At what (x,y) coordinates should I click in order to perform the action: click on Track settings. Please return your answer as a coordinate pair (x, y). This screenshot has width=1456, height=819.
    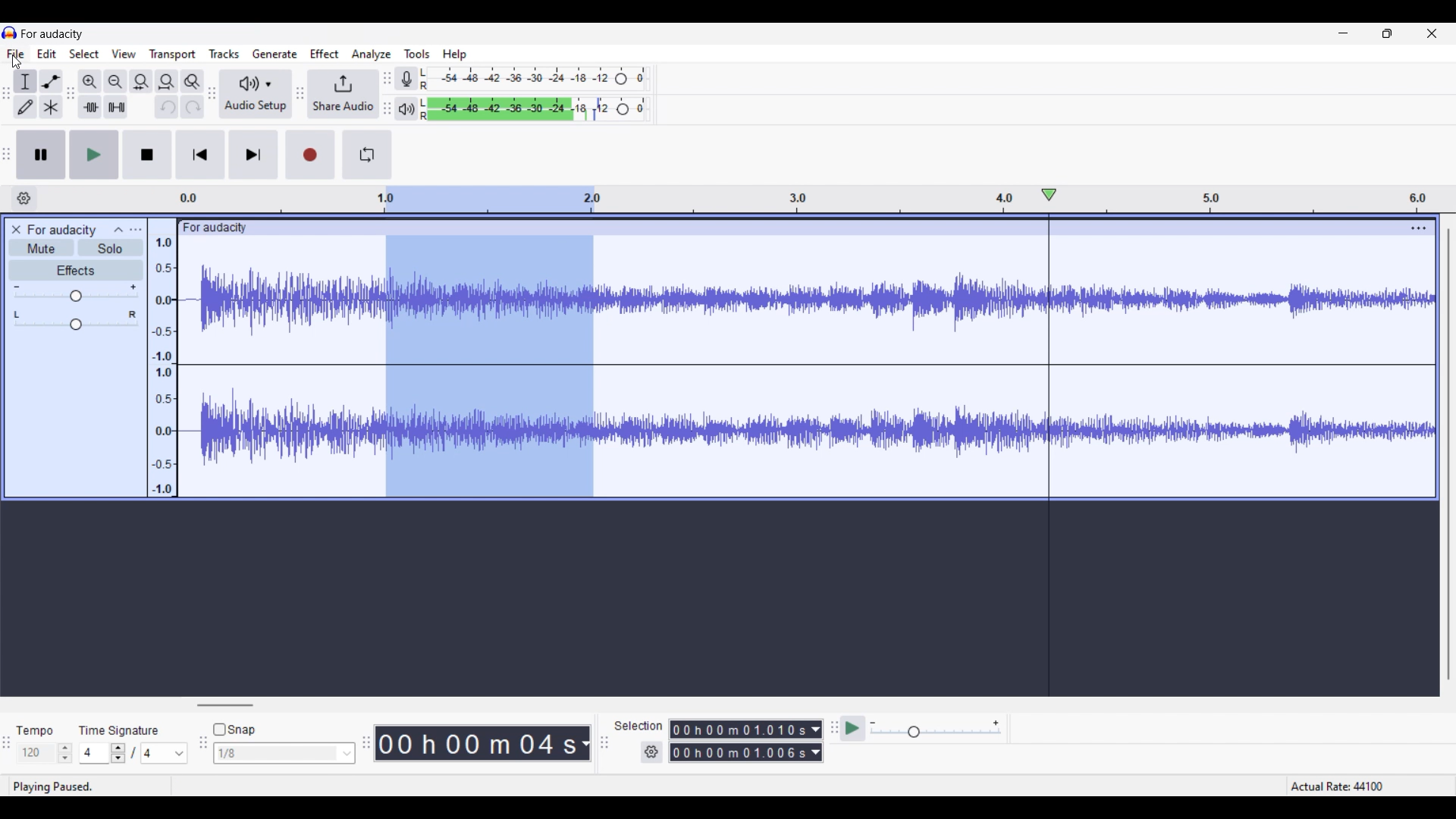
    Looking at the image, I should click on (1419, 228).